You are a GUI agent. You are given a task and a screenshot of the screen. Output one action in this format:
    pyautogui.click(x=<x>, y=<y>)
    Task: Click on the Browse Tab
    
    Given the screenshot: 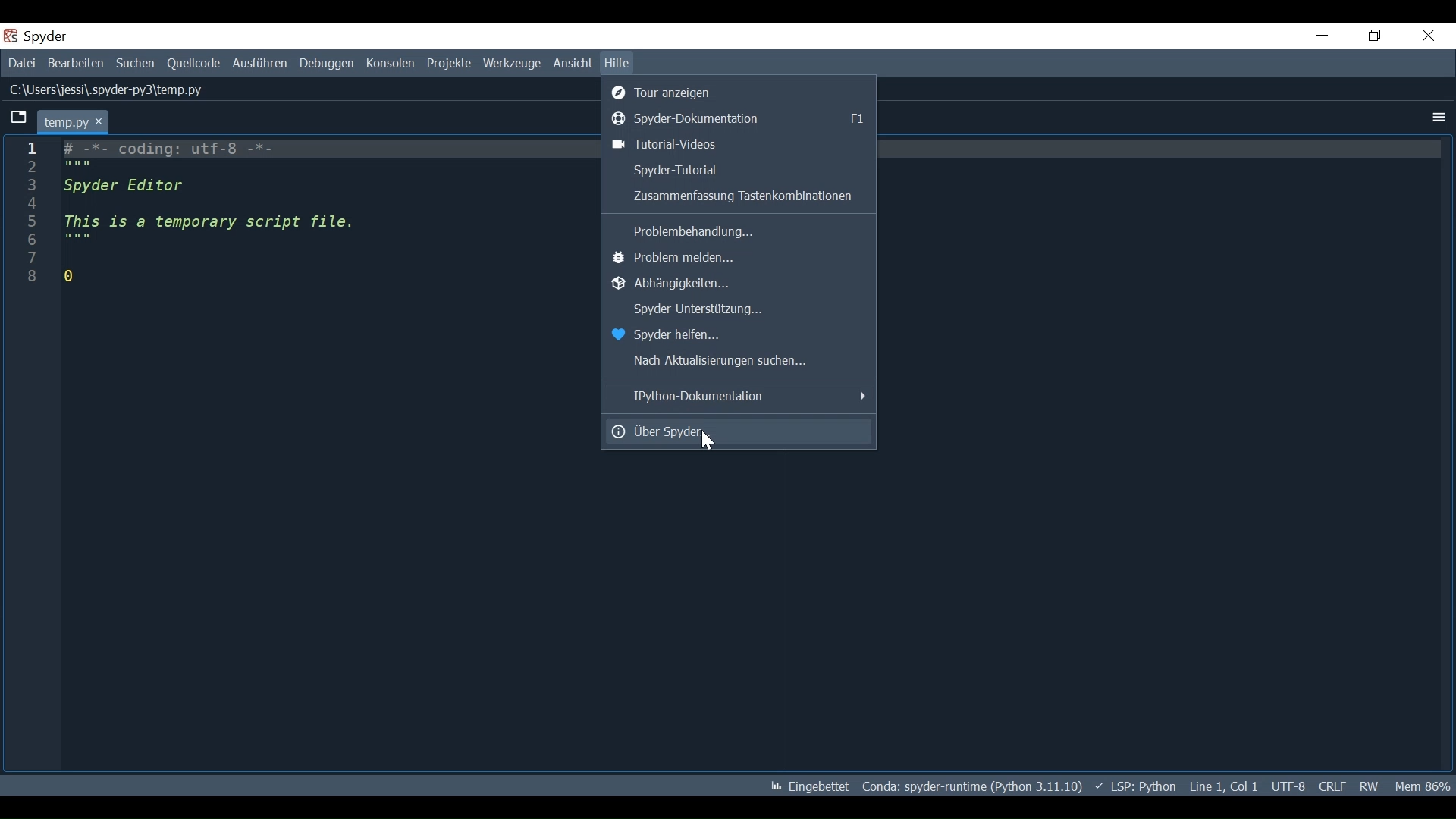 What is the action you would take?
    pyautogui.click(x=17, y=119)
    